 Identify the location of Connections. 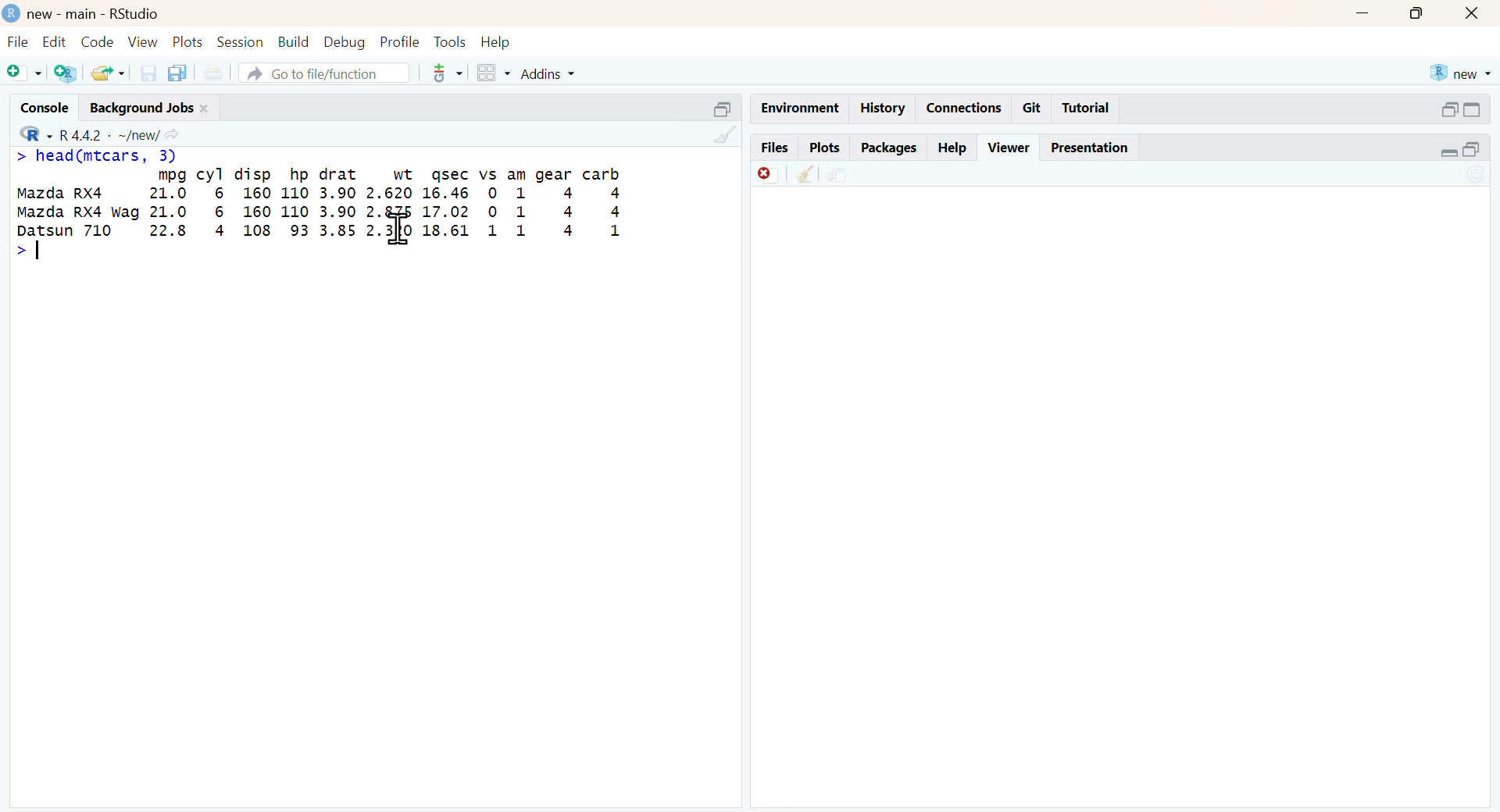
(962, 106).